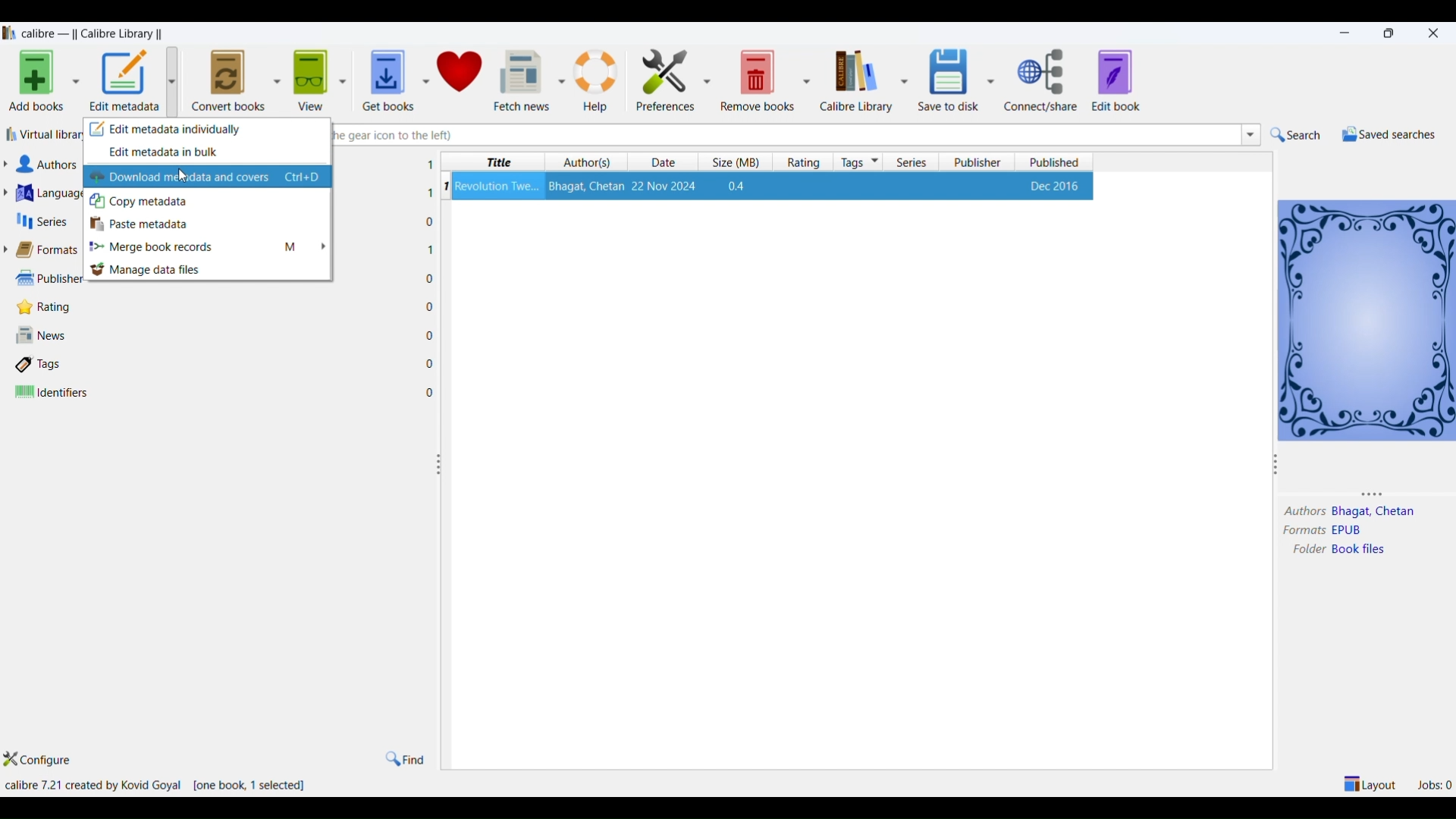  Describe the element at coordinates (1362, 550) in the screenshot. I see `folder name` at that location.